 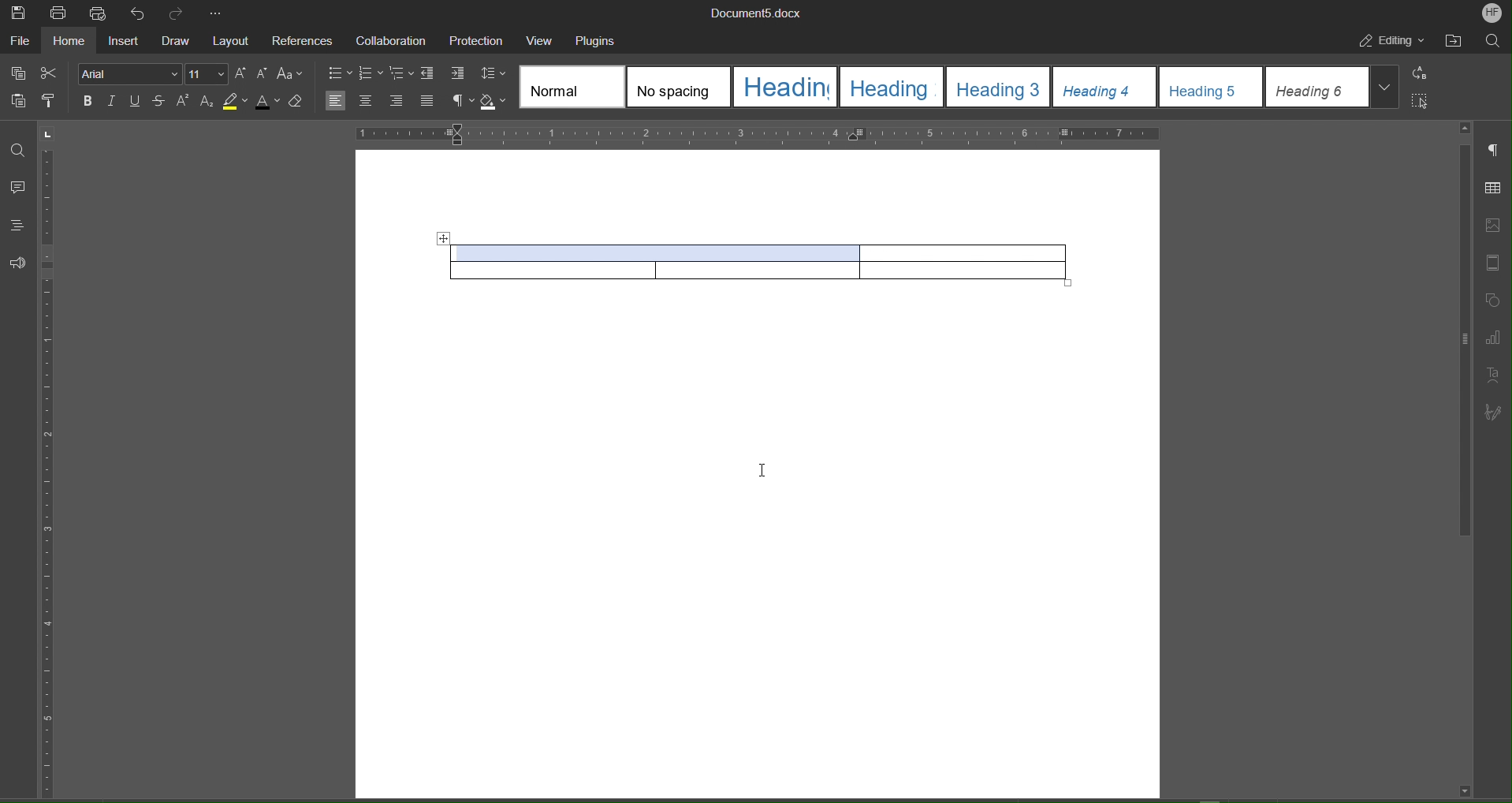 I want to click on Font Size, so click(x=206, y=74).